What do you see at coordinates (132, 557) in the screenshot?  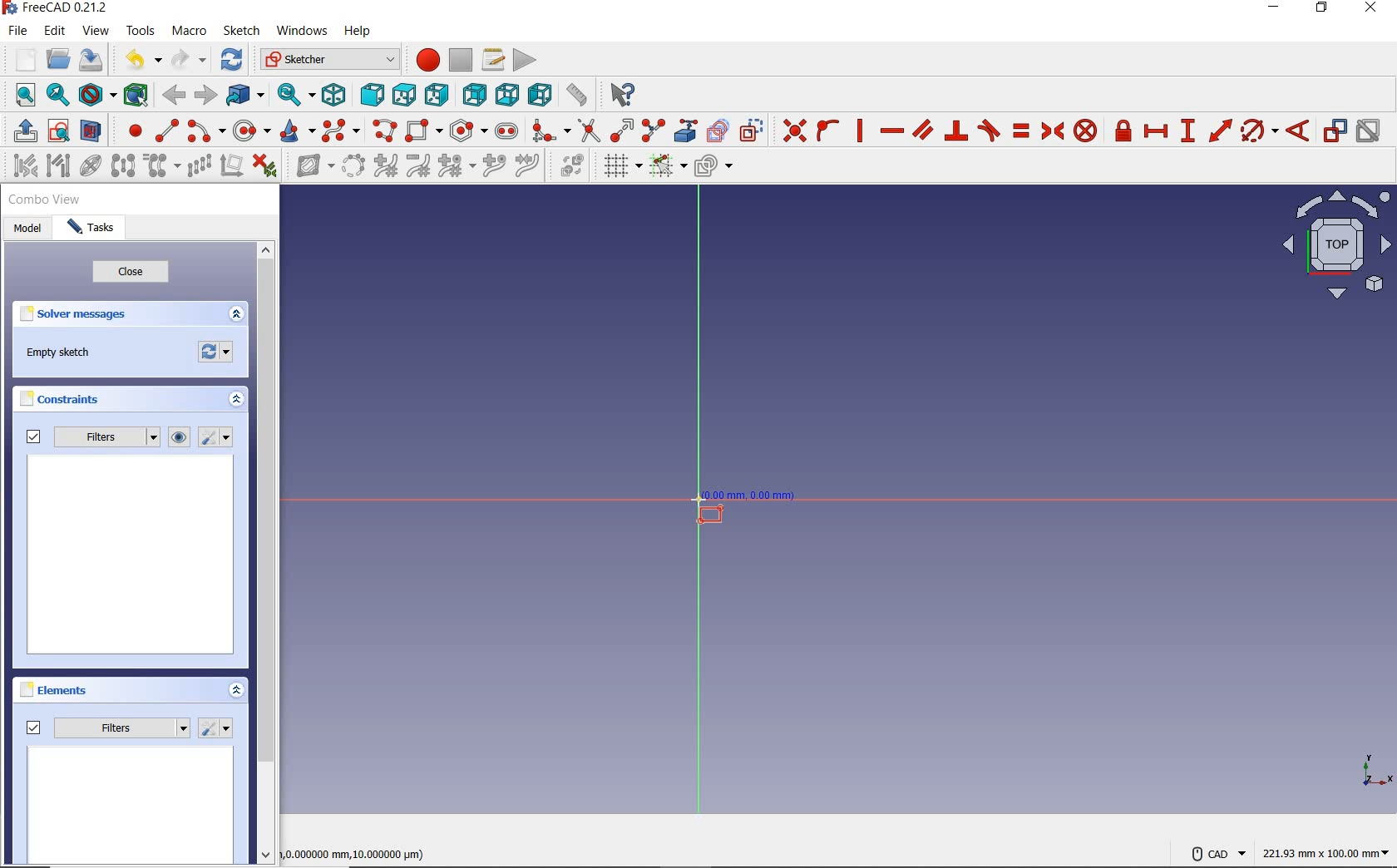 I see `preview` at bounding box center [132, 557].